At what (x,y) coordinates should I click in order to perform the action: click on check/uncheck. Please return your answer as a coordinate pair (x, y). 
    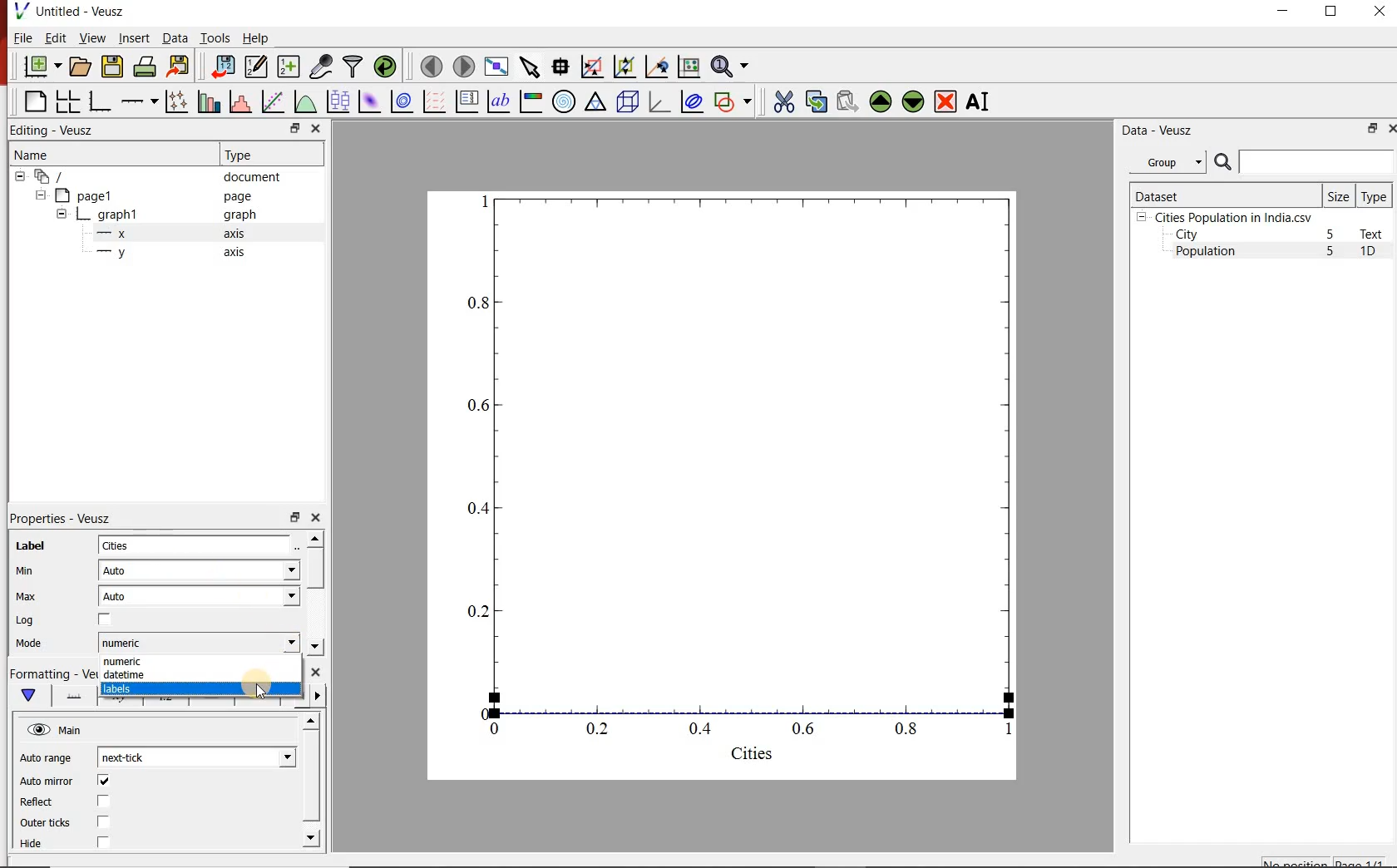
    Looking at the image, I should click on (103, 823).